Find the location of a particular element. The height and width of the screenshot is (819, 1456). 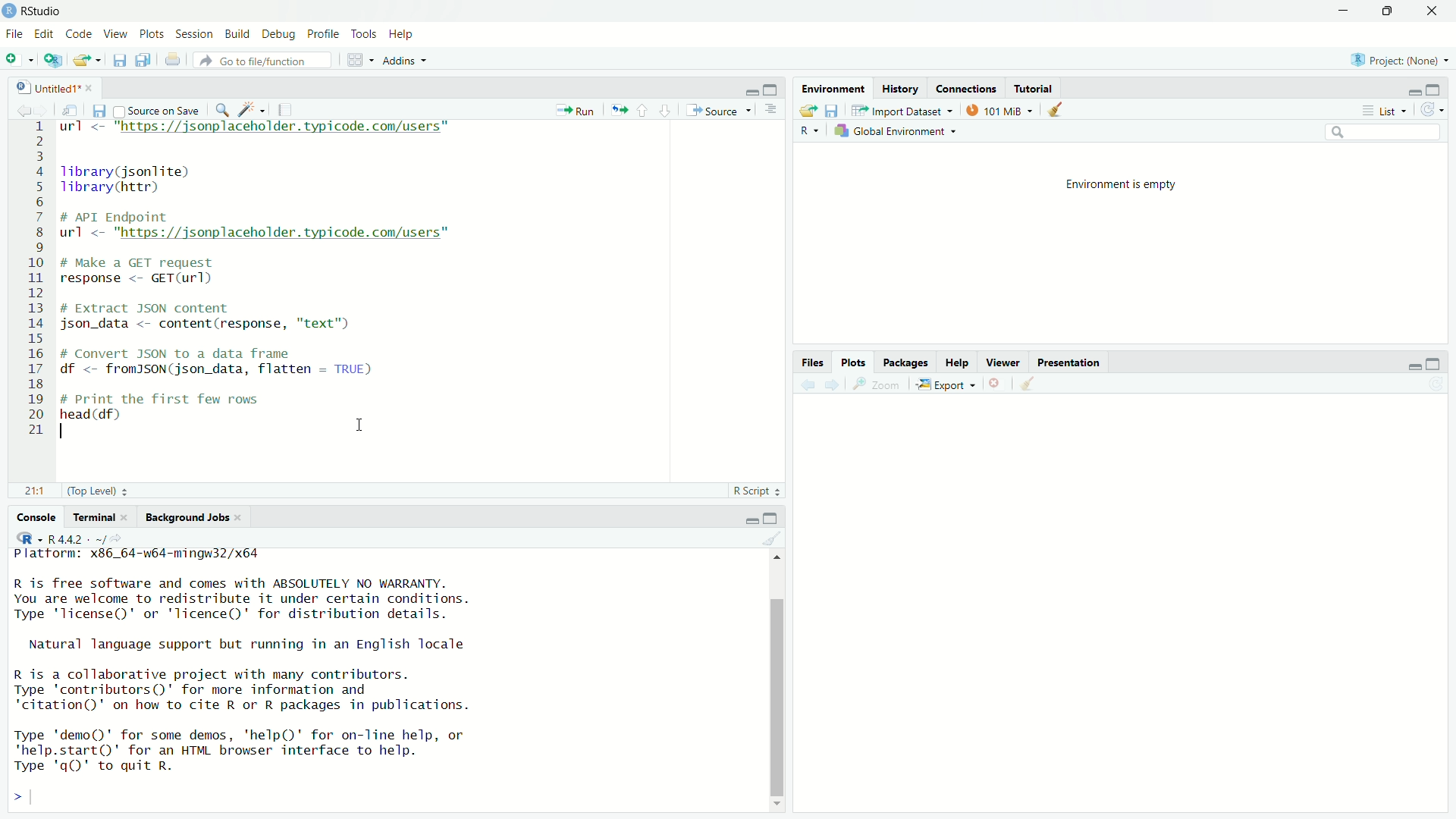

Clear objects is located at coordinates (1028, 385).